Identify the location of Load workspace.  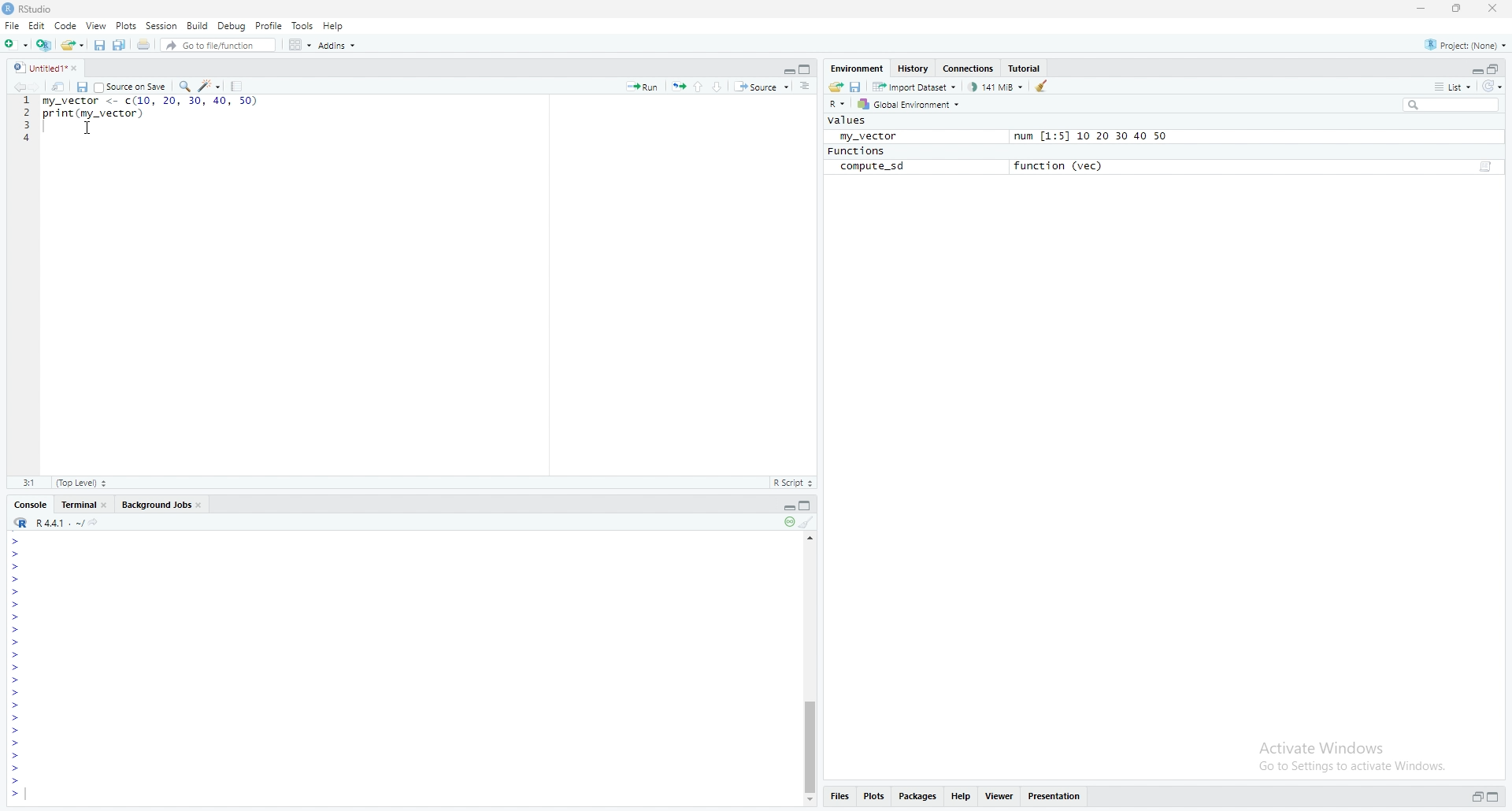
(836, 86).